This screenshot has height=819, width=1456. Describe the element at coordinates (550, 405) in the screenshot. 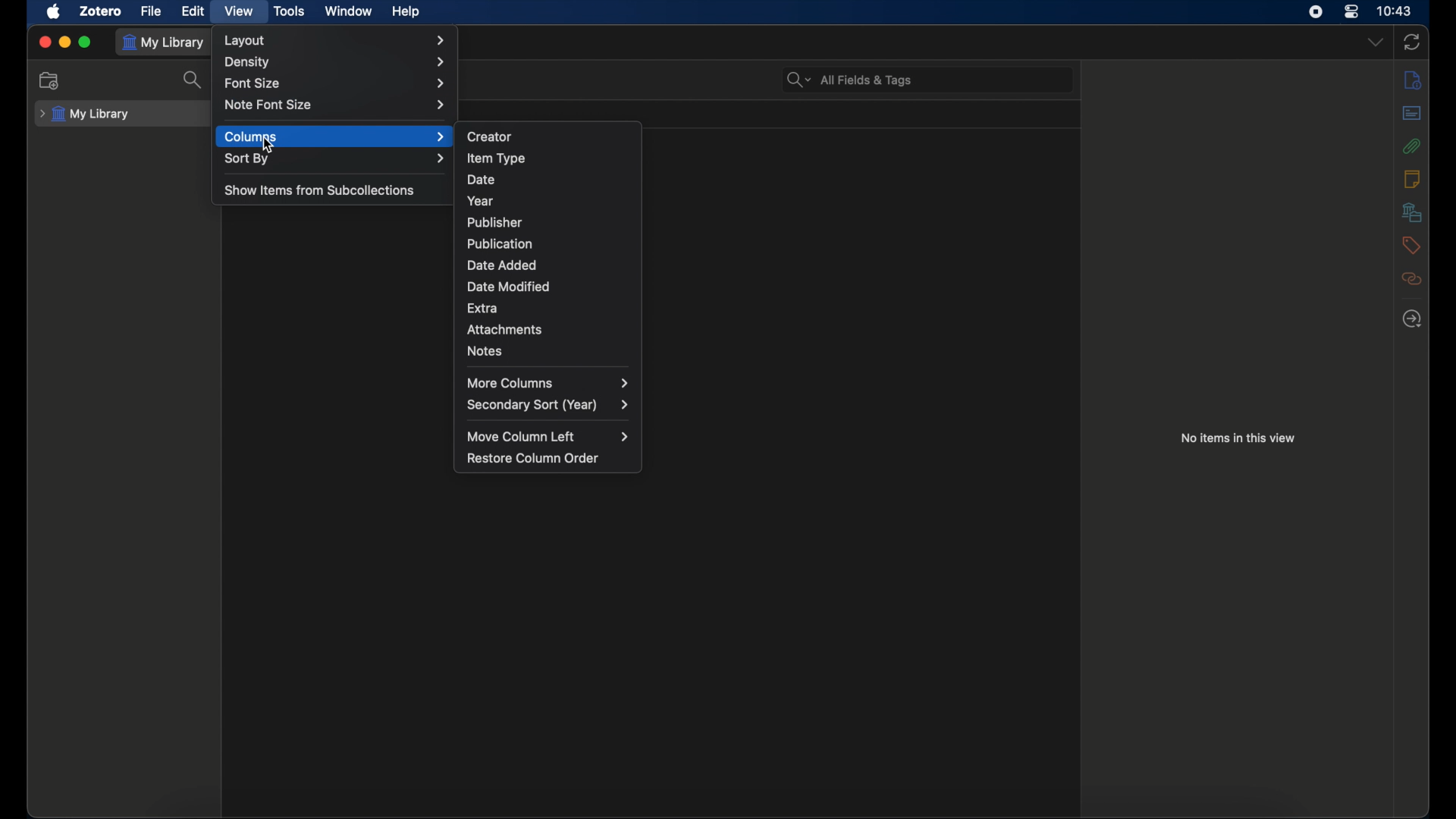

I see `secondary sort` at that location.